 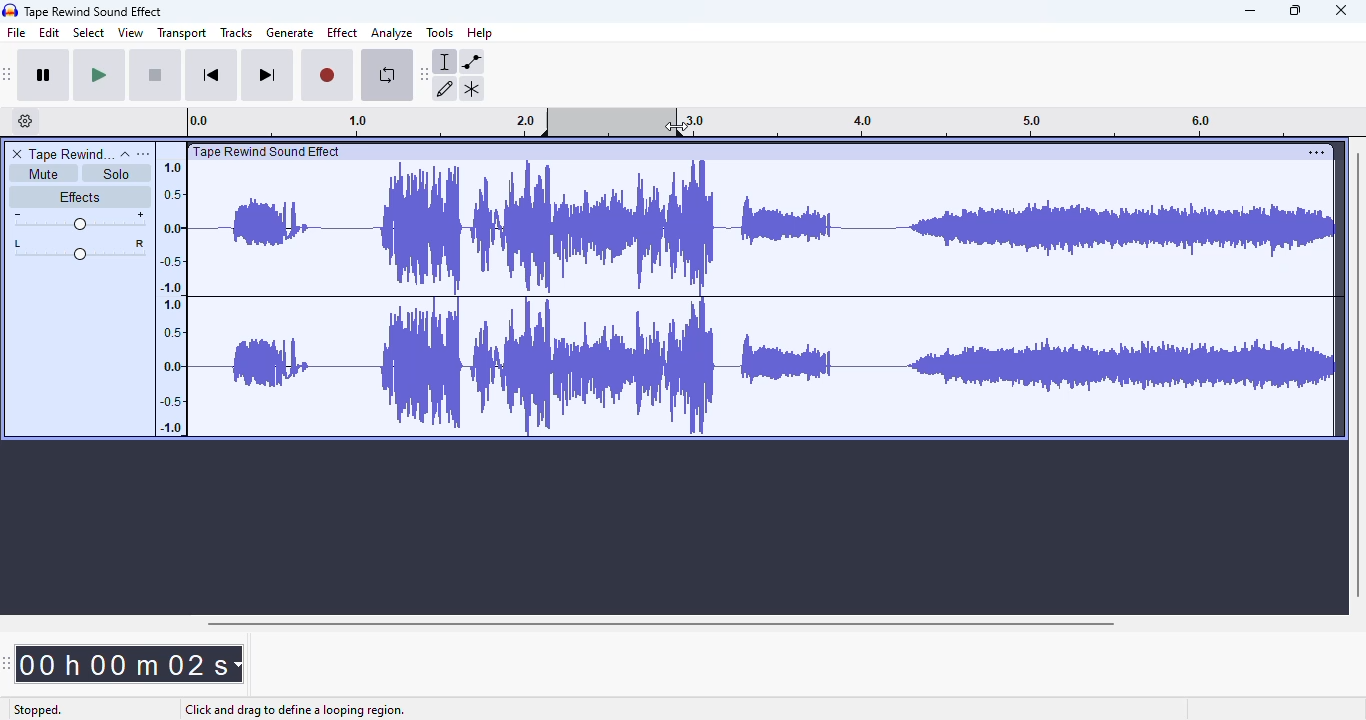 What do you see at coordinates (678, 125) in the screenshot?
I see `cursor` at bounding box center [678, 125].